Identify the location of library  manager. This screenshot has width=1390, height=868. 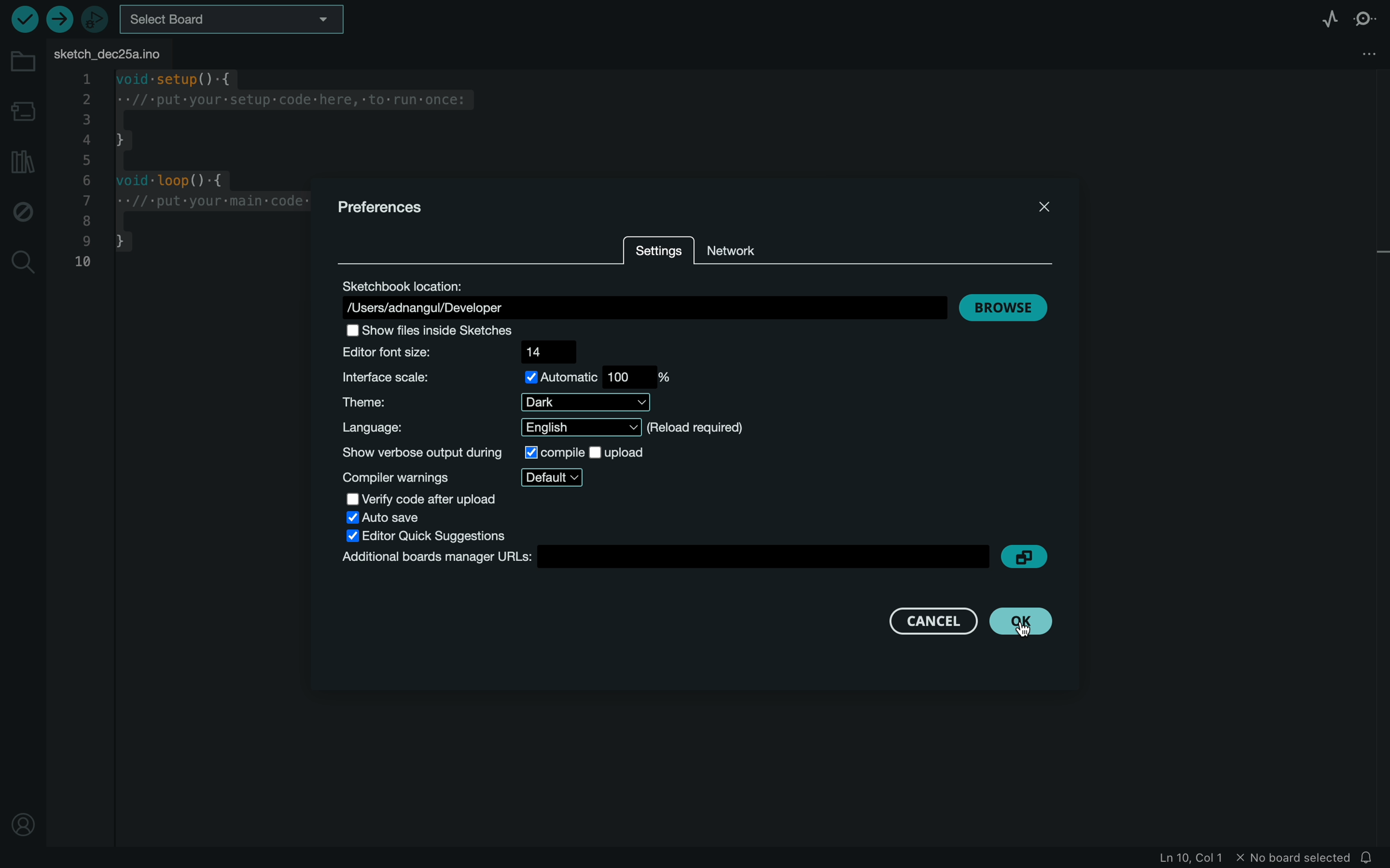
(23, 163).